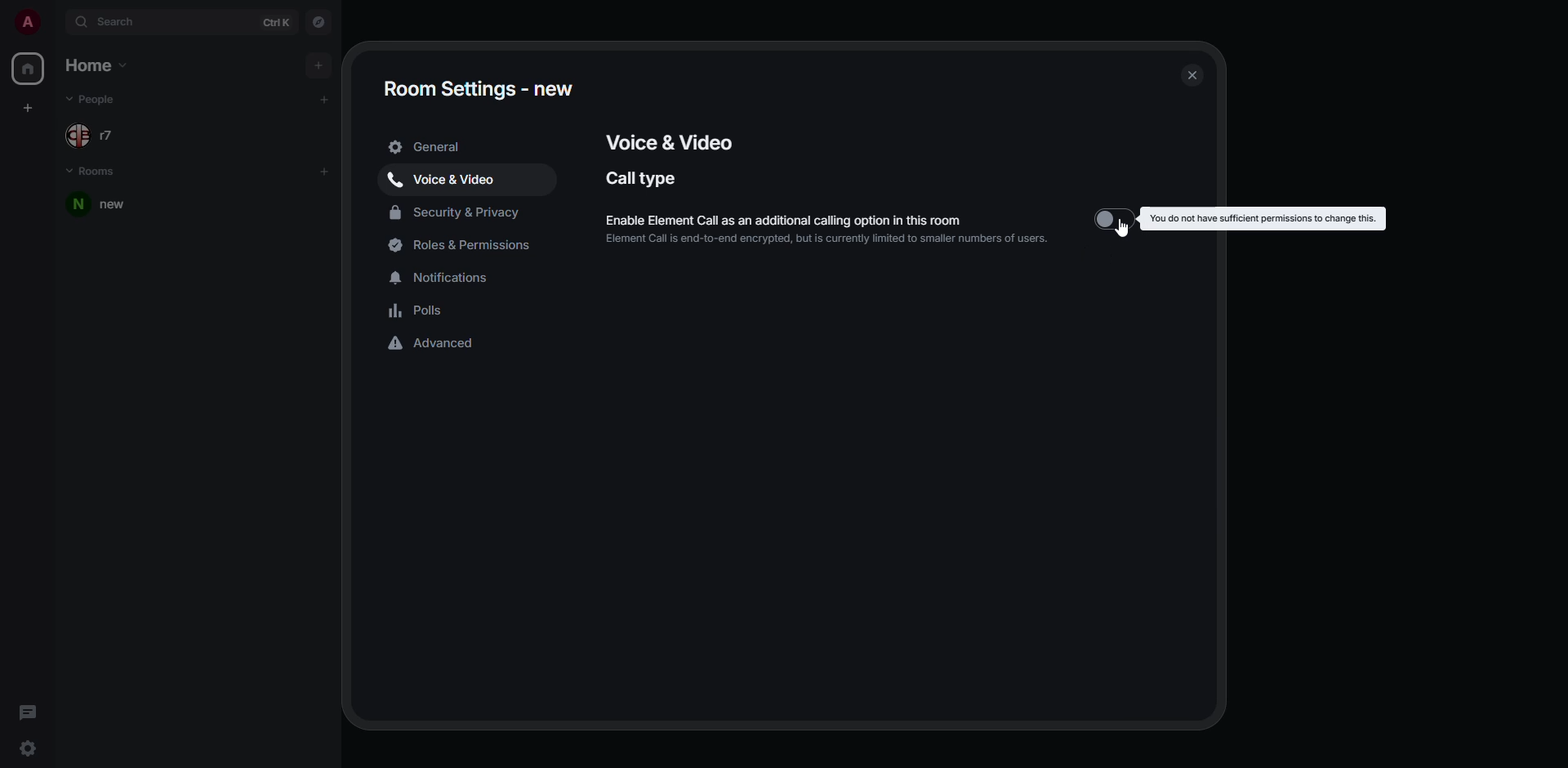 The width and height of the screenshot is (1568, 768). What do you see at coordinates (458, 214) in the screenshot?
I see `security & privacy` at bounding box center [458, 214].